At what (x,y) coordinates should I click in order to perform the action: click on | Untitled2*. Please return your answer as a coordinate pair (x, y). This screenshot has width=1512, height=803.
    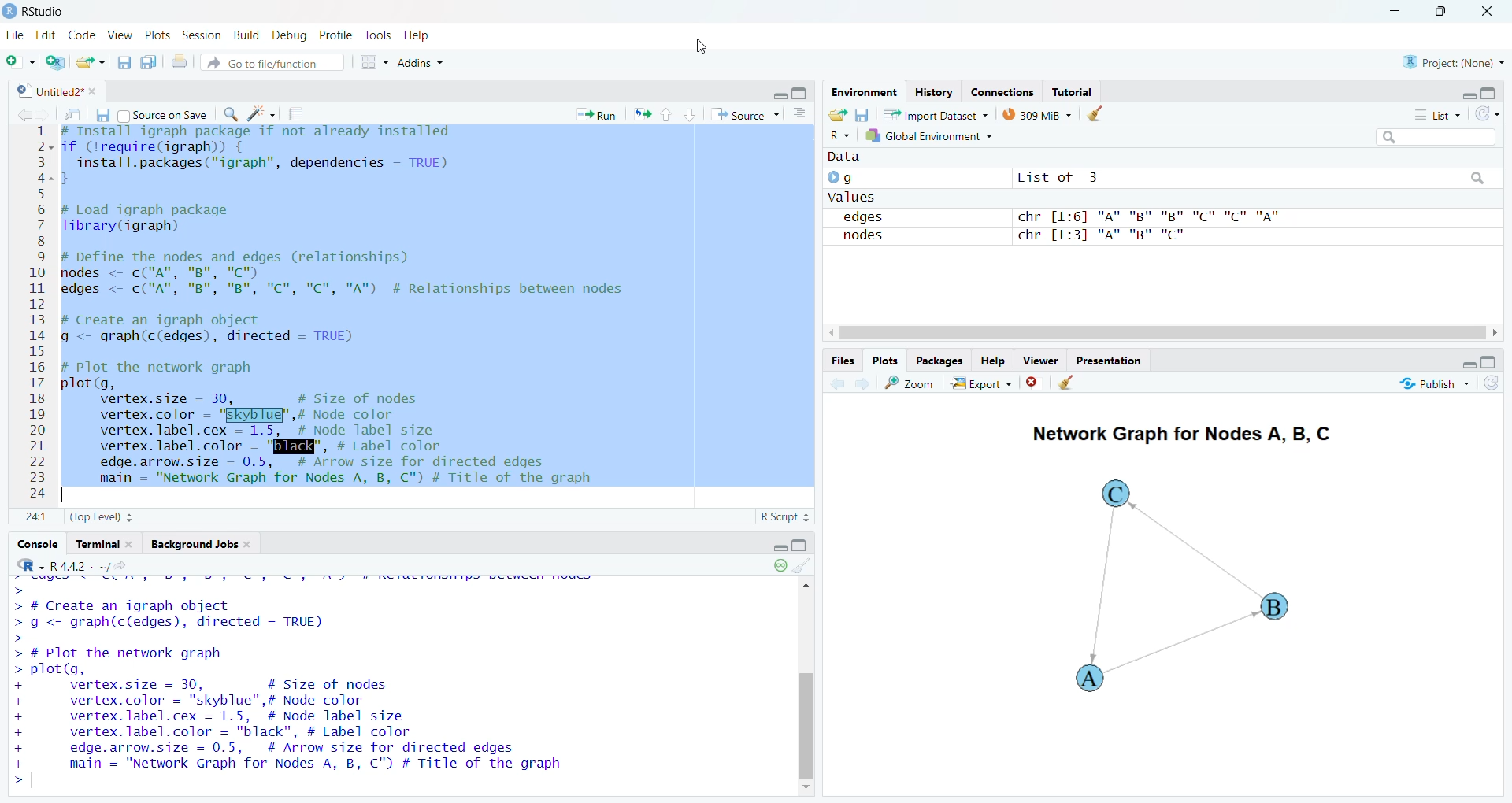
    Looking at the image, I should click on (50, 92).